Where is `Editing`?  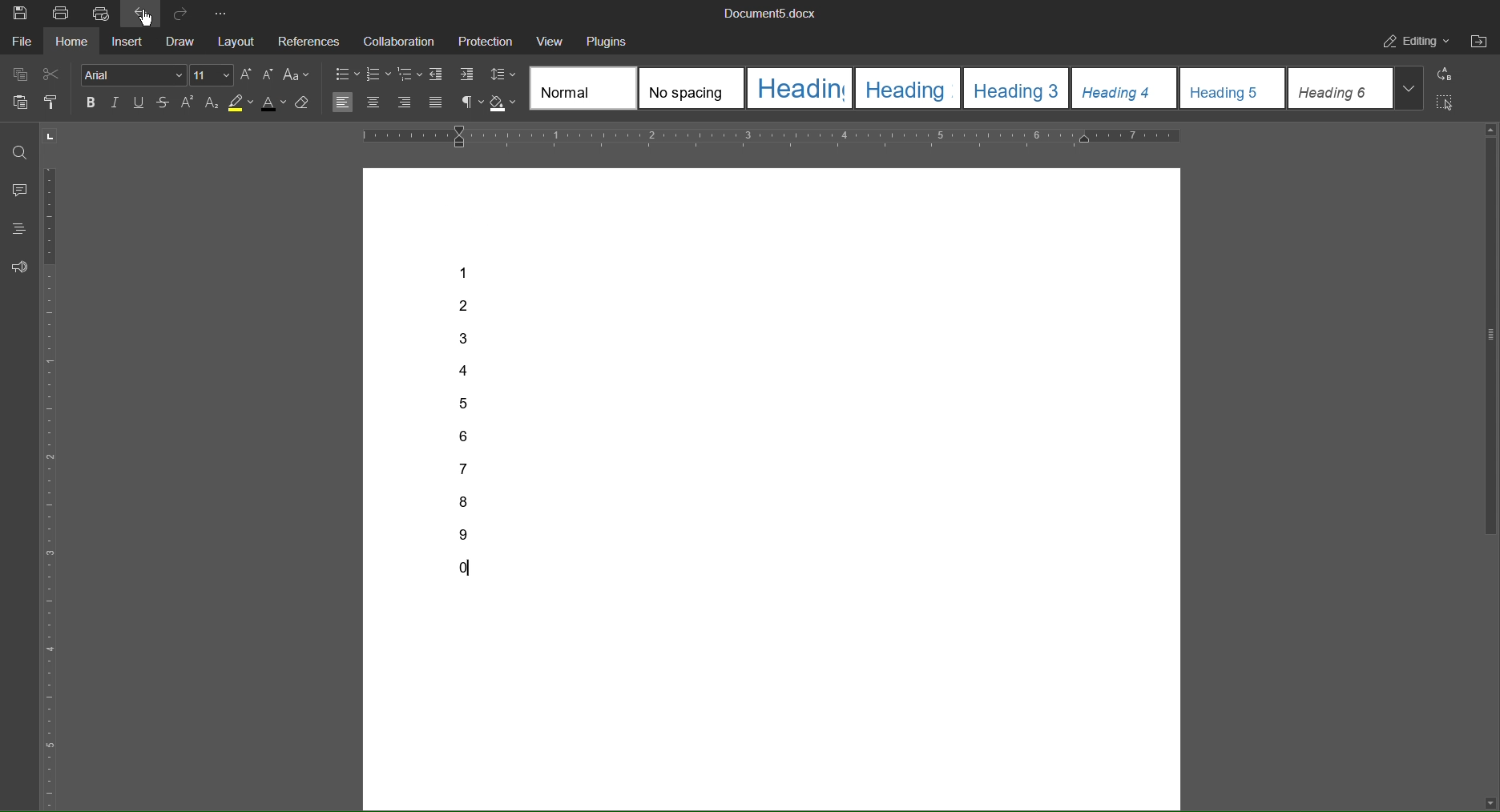 Editing is located at coordinates (1414, 42).